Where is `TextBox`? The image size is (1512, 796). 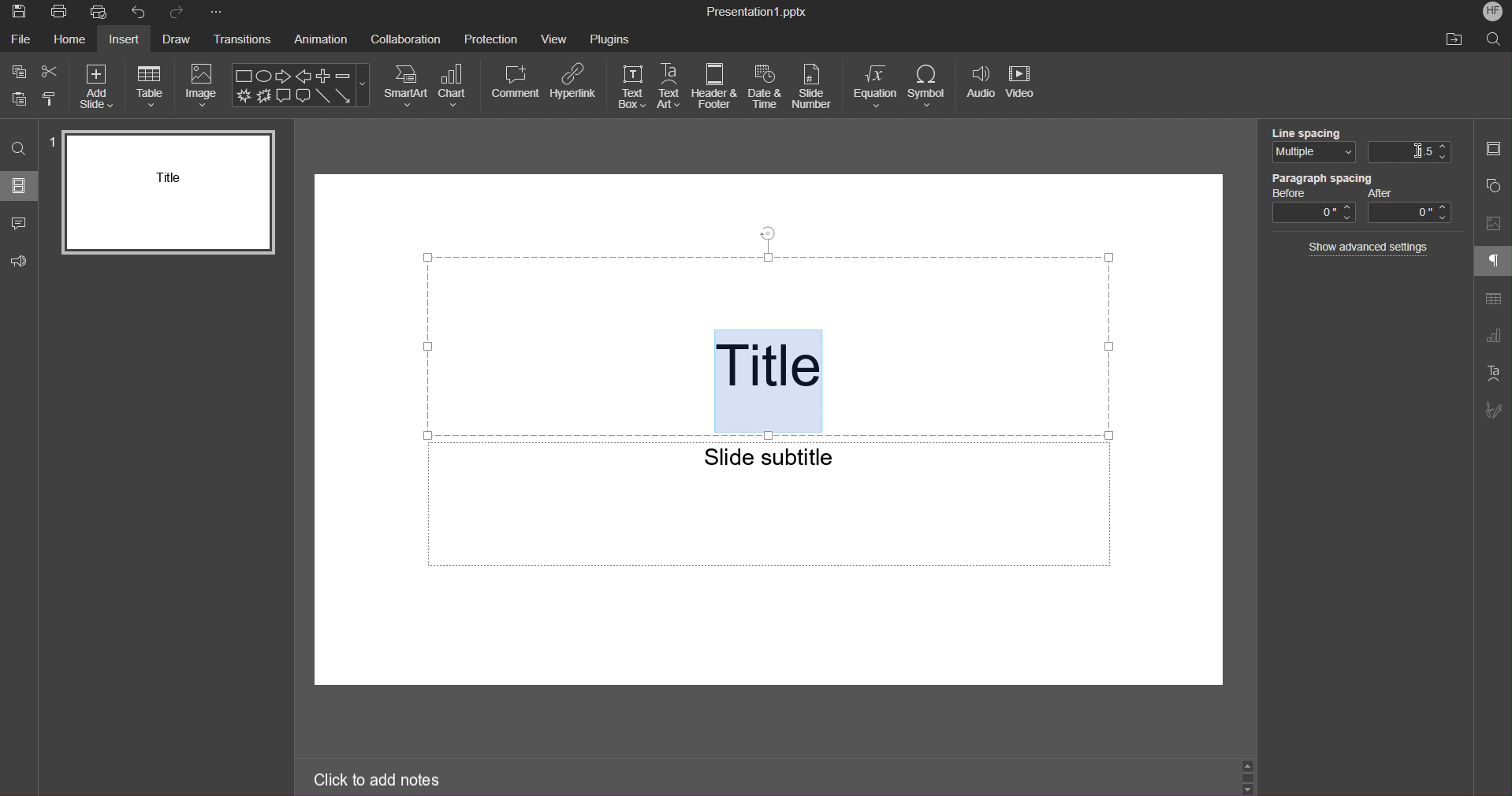 TextBox is located at coordinates (634, 86).